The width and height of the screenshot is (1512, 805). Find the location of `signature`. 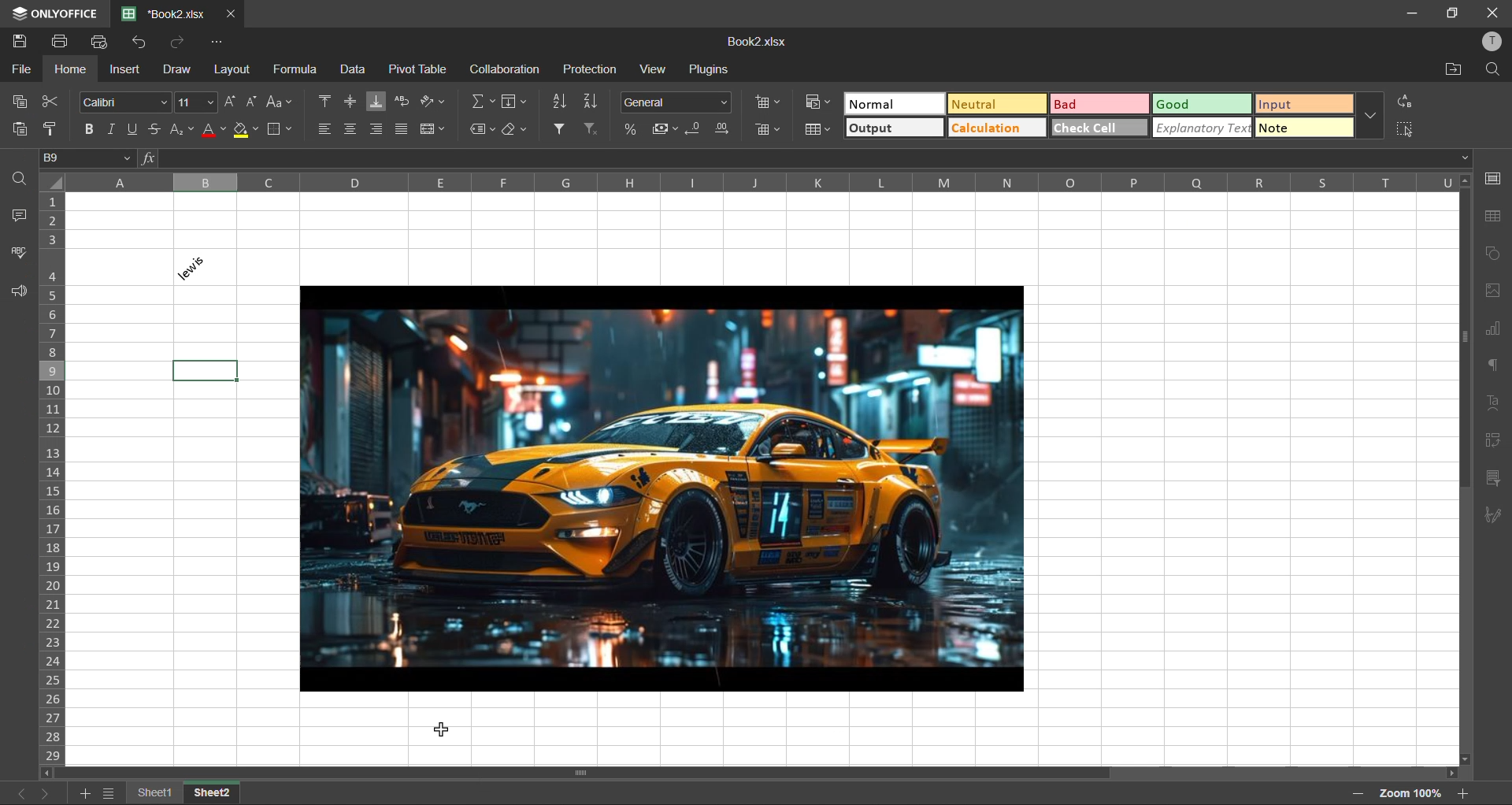

signature is located at coordinates (1496, 516).